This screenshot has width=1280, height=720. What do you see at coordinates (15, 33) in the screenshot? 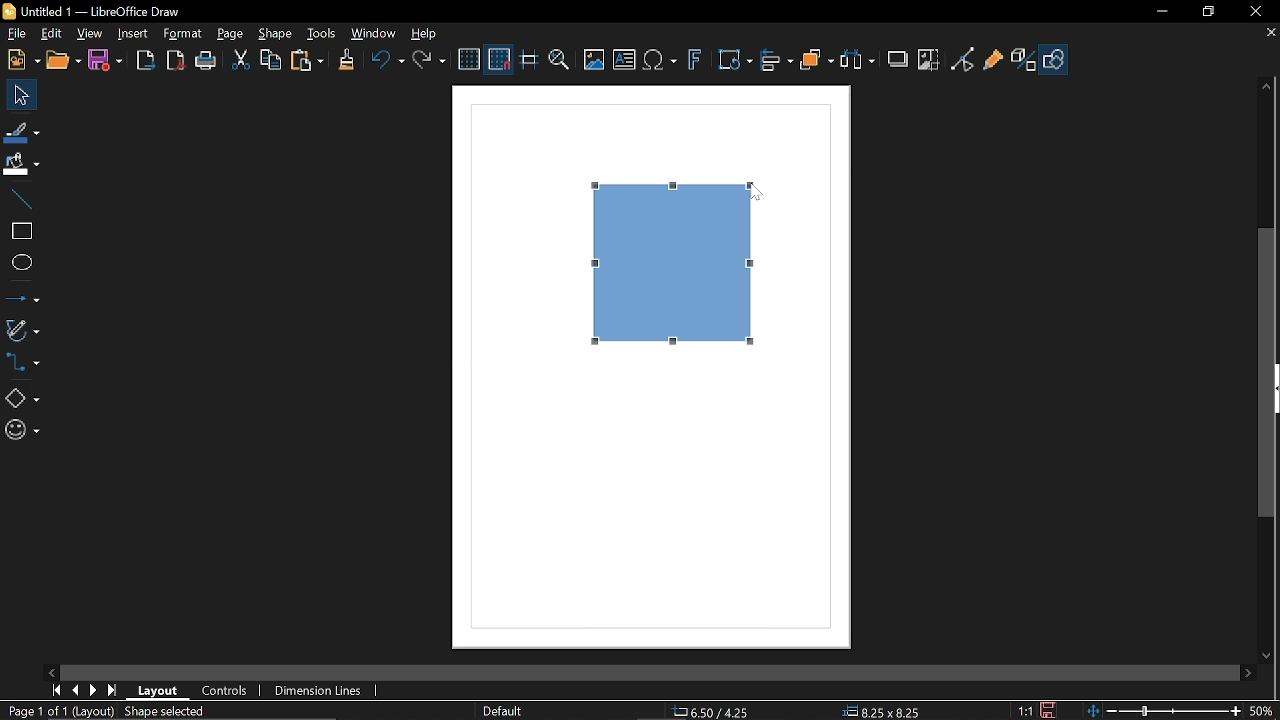
I see `File` at bounding box center [15, 33].